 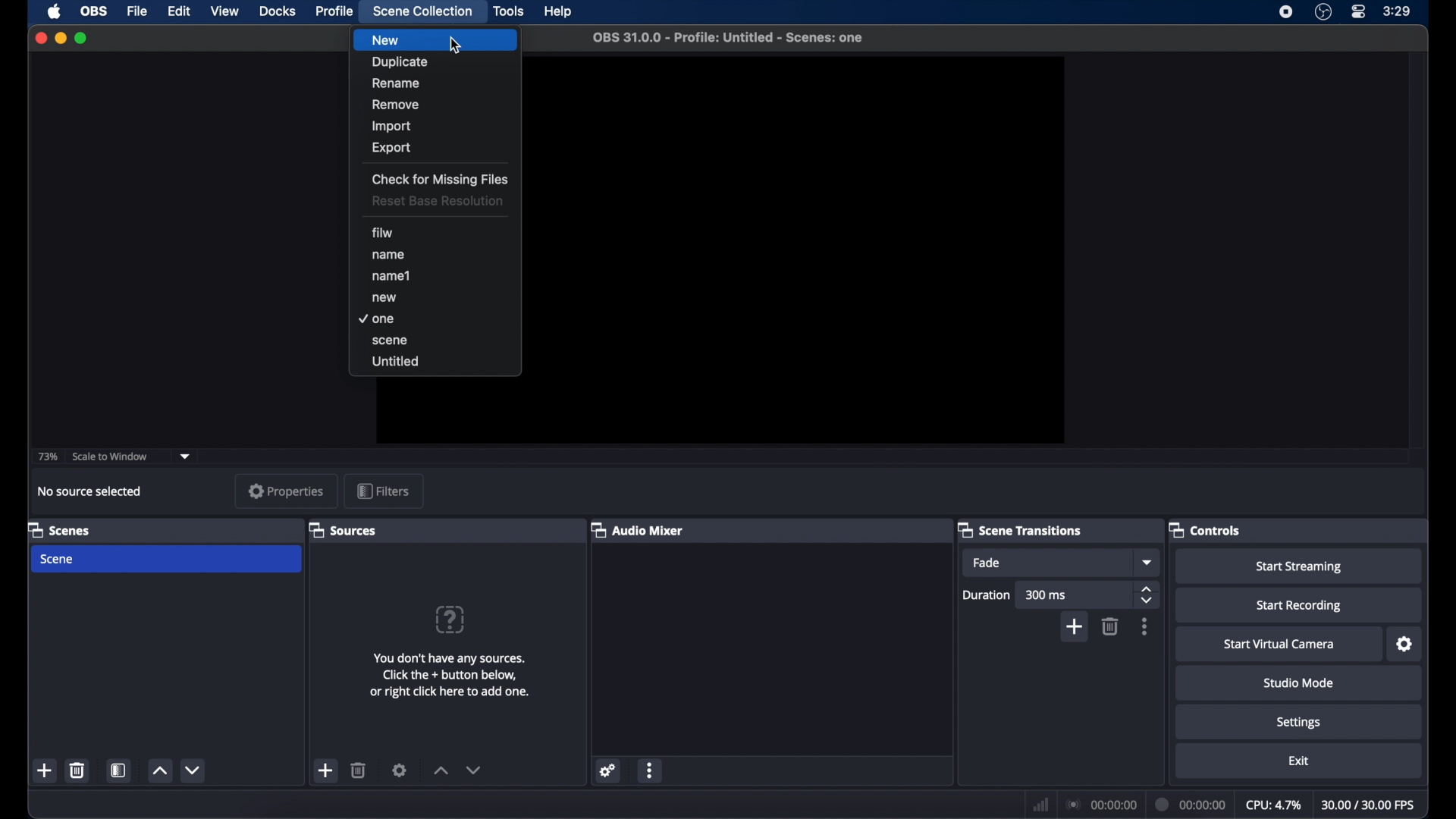 What do you see at coordinates (1274, 804) in the screenshot?
I see `cpu` at bounding box center [1274, 804].